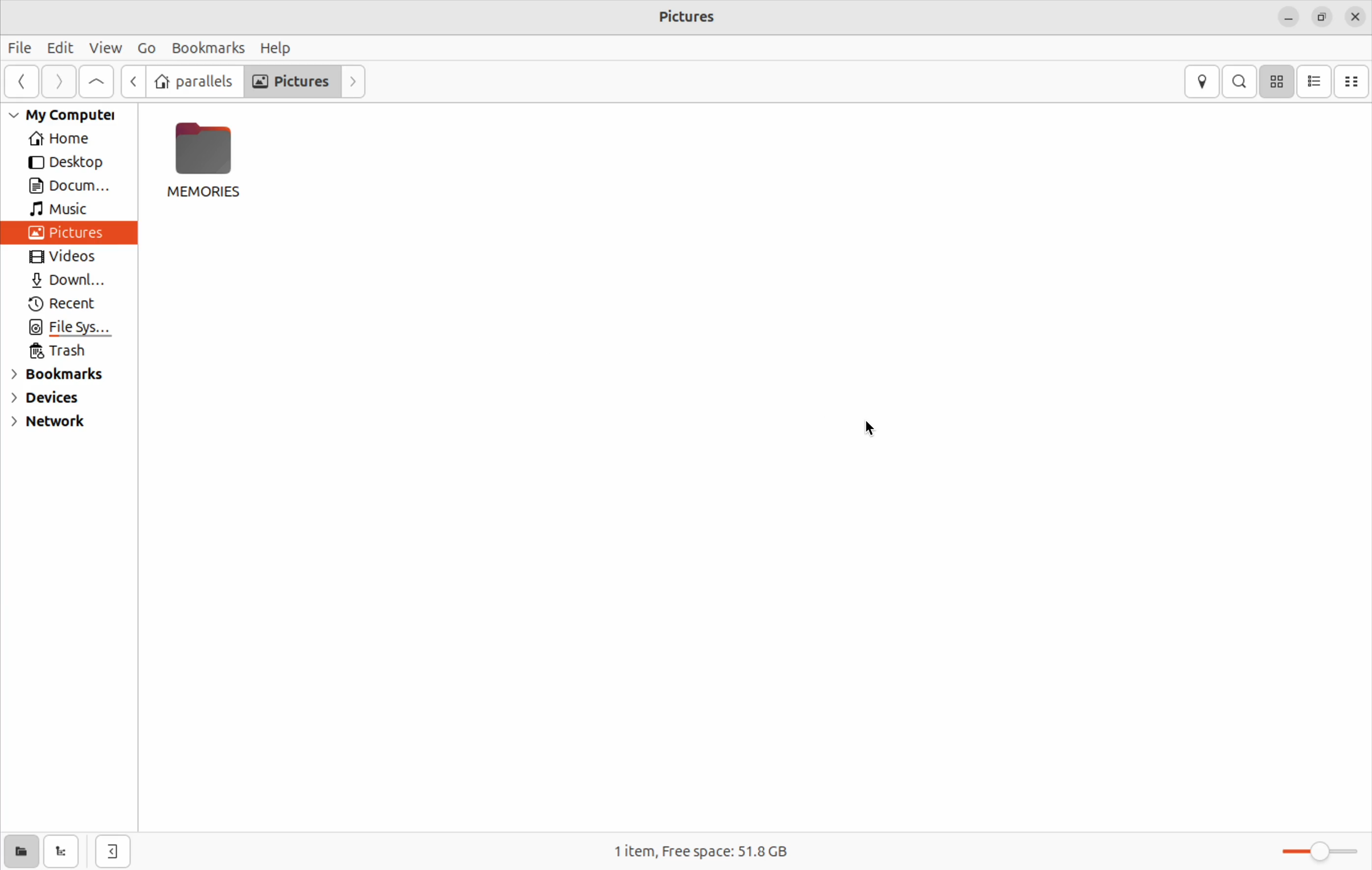 This screenshot has width=1372, height=870. Describe the element at coordinates (106, 47) in the screenshot. I see `View` at that location.